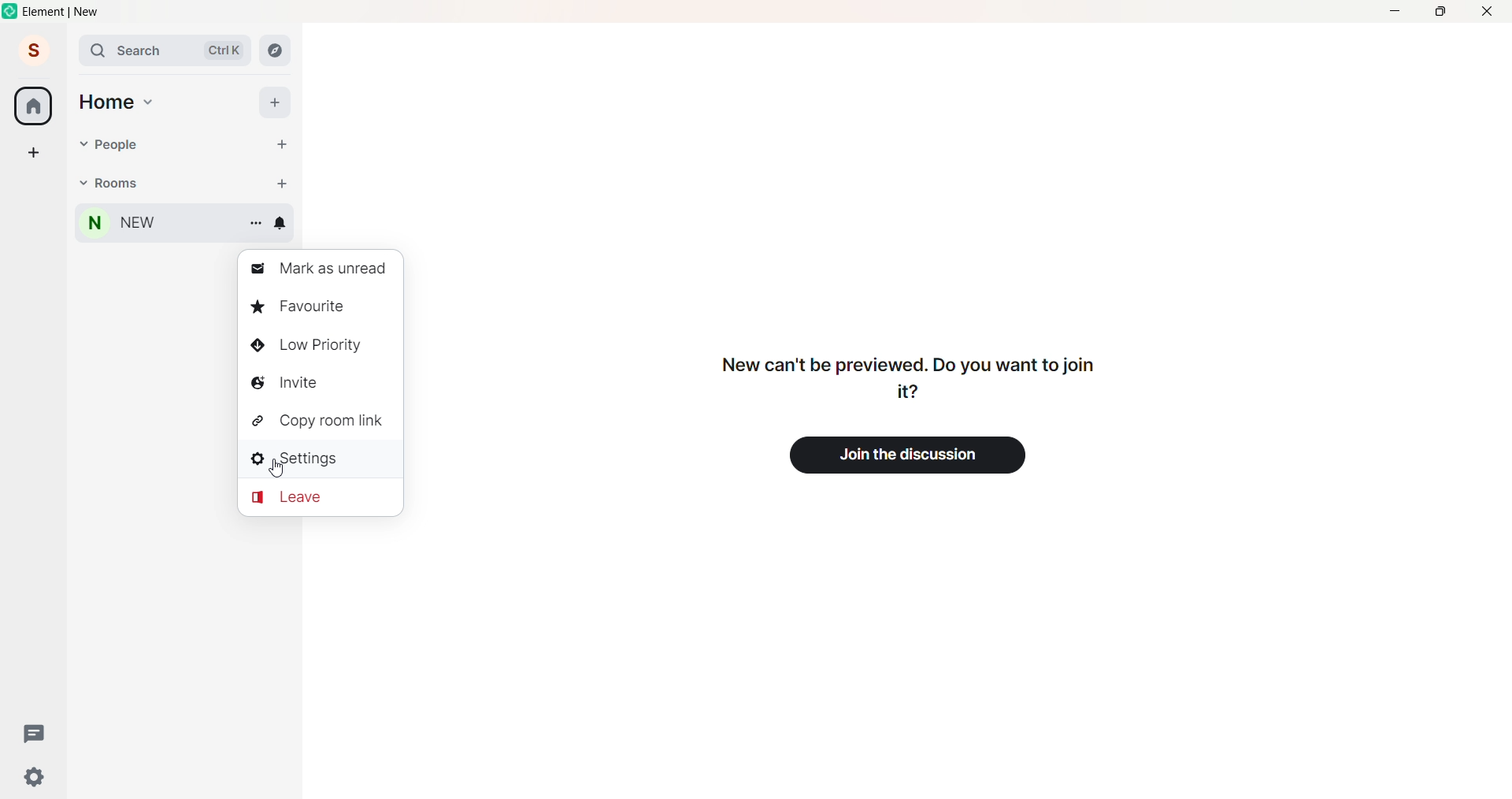 This screenshot has height=799, width=1512. What do you see at coordinates (156, 49) in the screenshot?
I see `search` at bounding box center [156, 49].